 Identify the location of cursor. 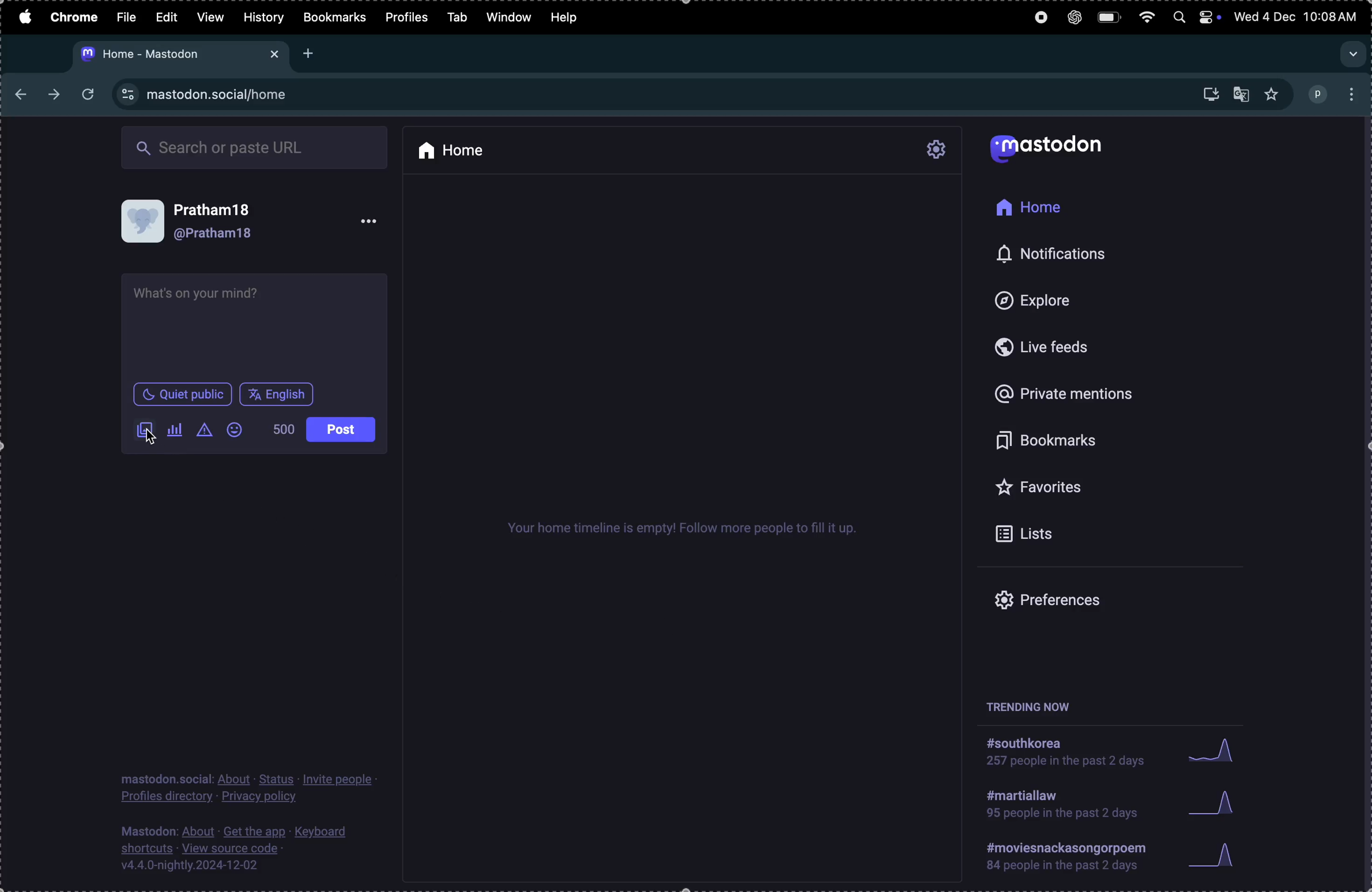
(152, 440).